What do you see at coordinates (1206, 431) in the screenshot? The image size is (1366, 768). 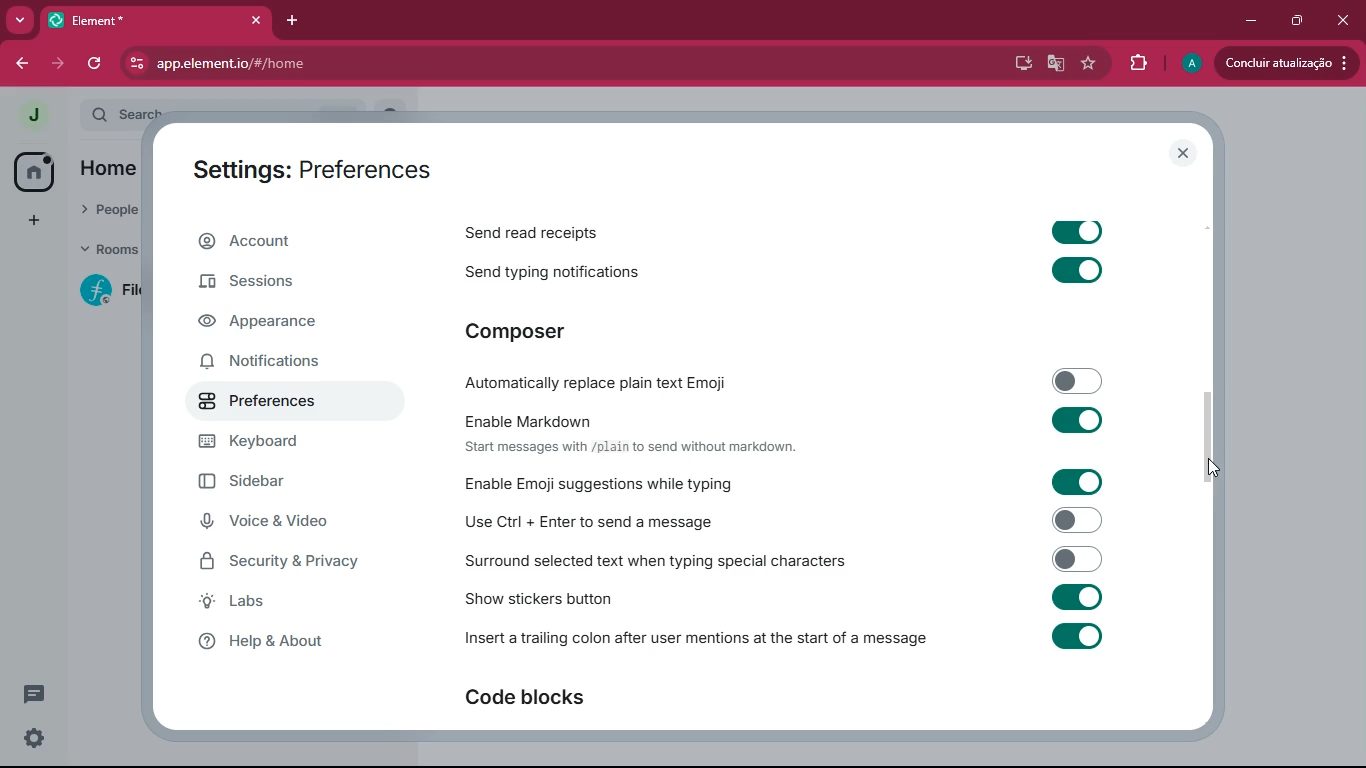 I see `scroll bar` at bounding box center [1206, 431].